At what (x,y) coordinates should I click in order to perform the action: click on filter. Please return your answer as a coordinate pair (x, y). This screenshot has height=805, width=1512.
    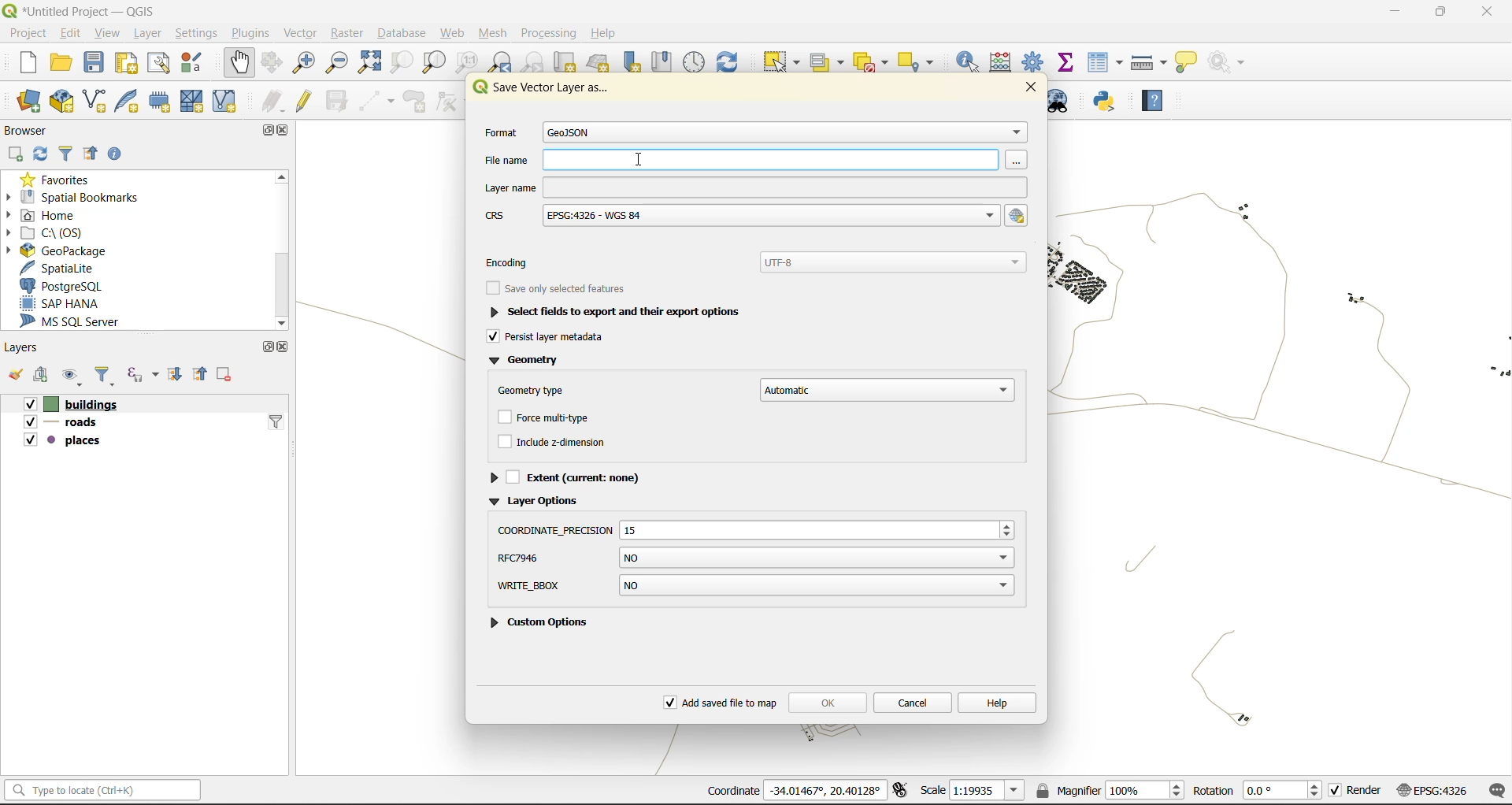
    Looking at the image, I should click on (108, 376).